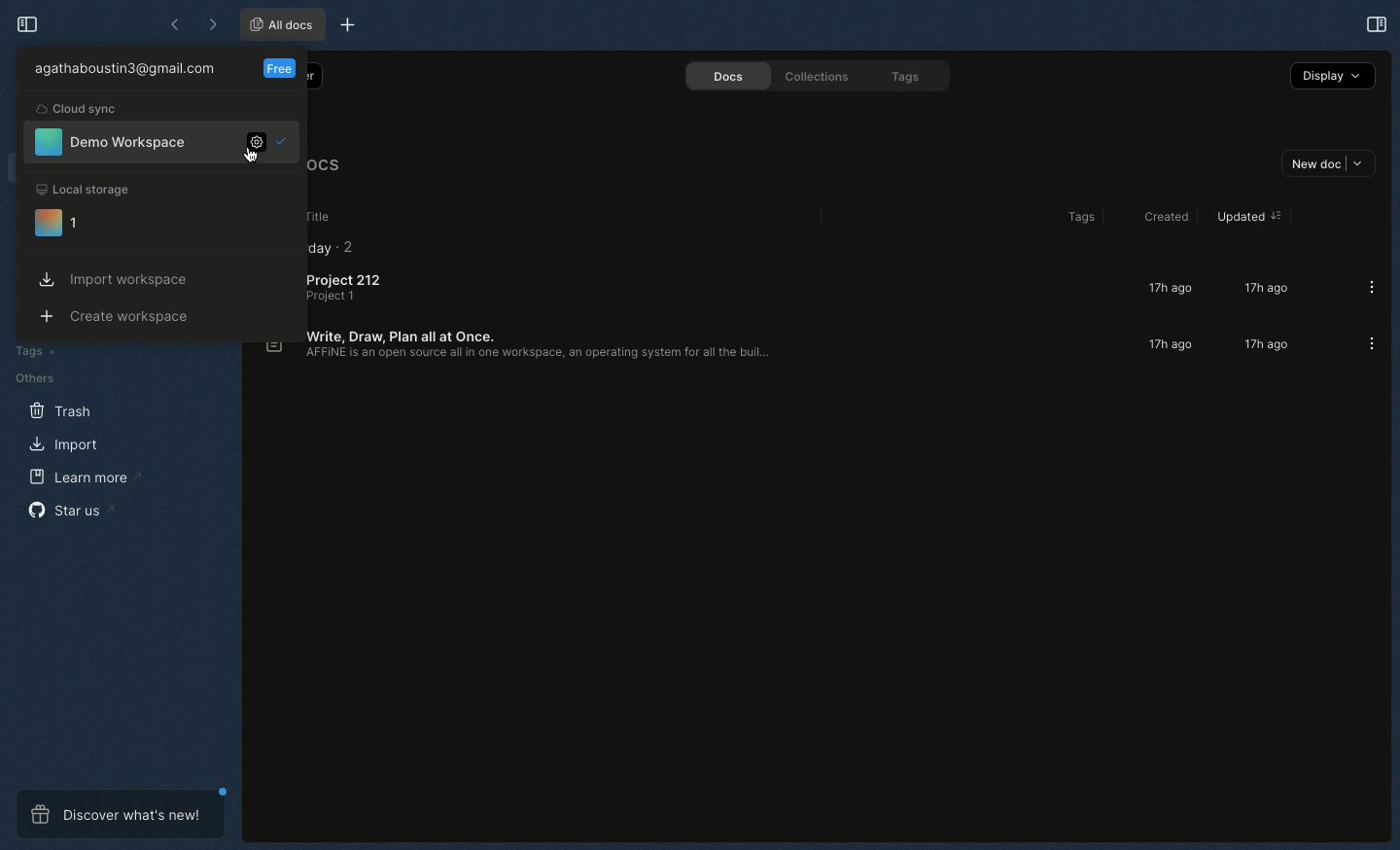 The height and width of the screenshot is (850, 1400). I want to click on cursor, so click(248, 153).